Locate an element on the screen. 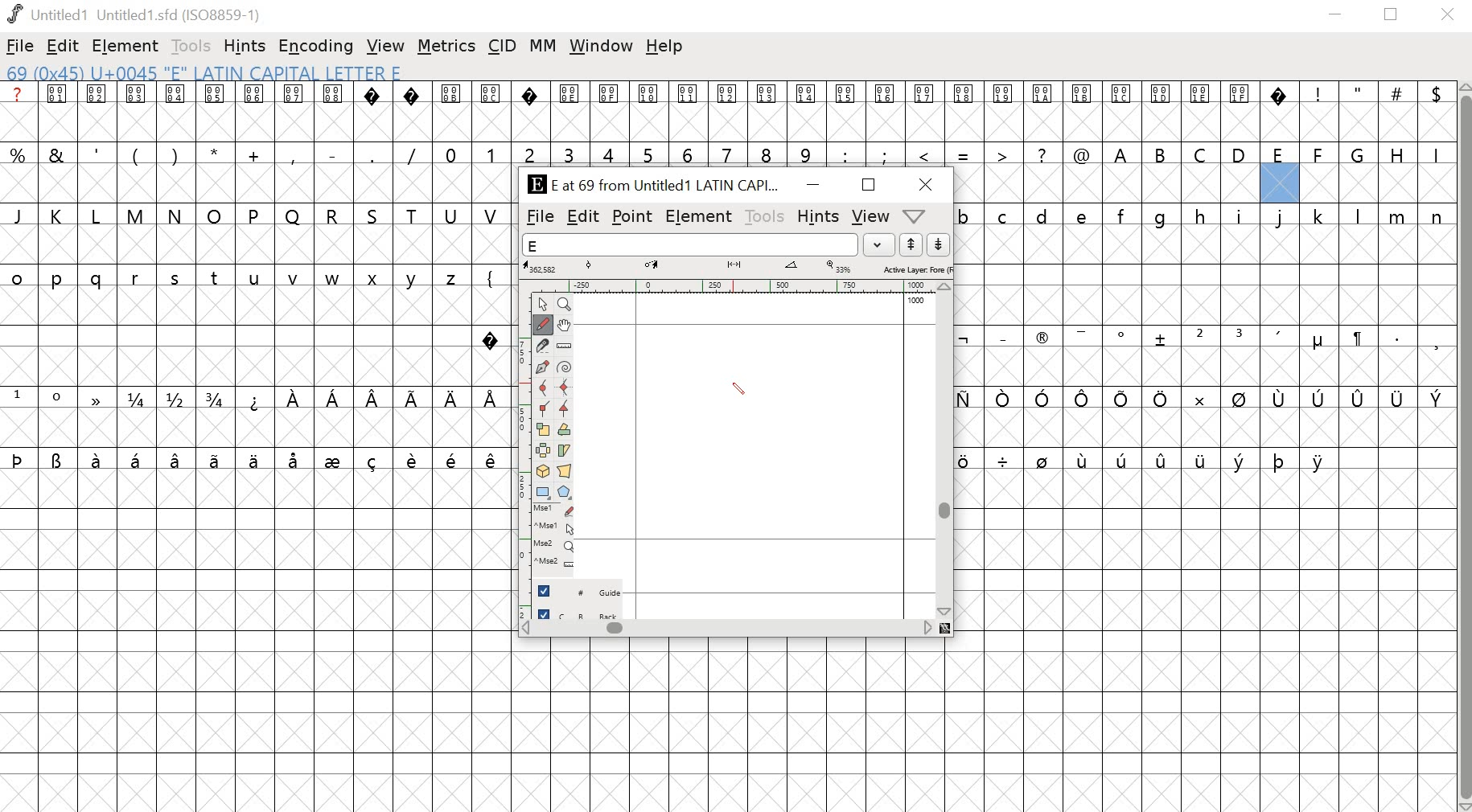 The width and height of the screenshot is (1472, 812). measurements is located at coordinates (737, 268).